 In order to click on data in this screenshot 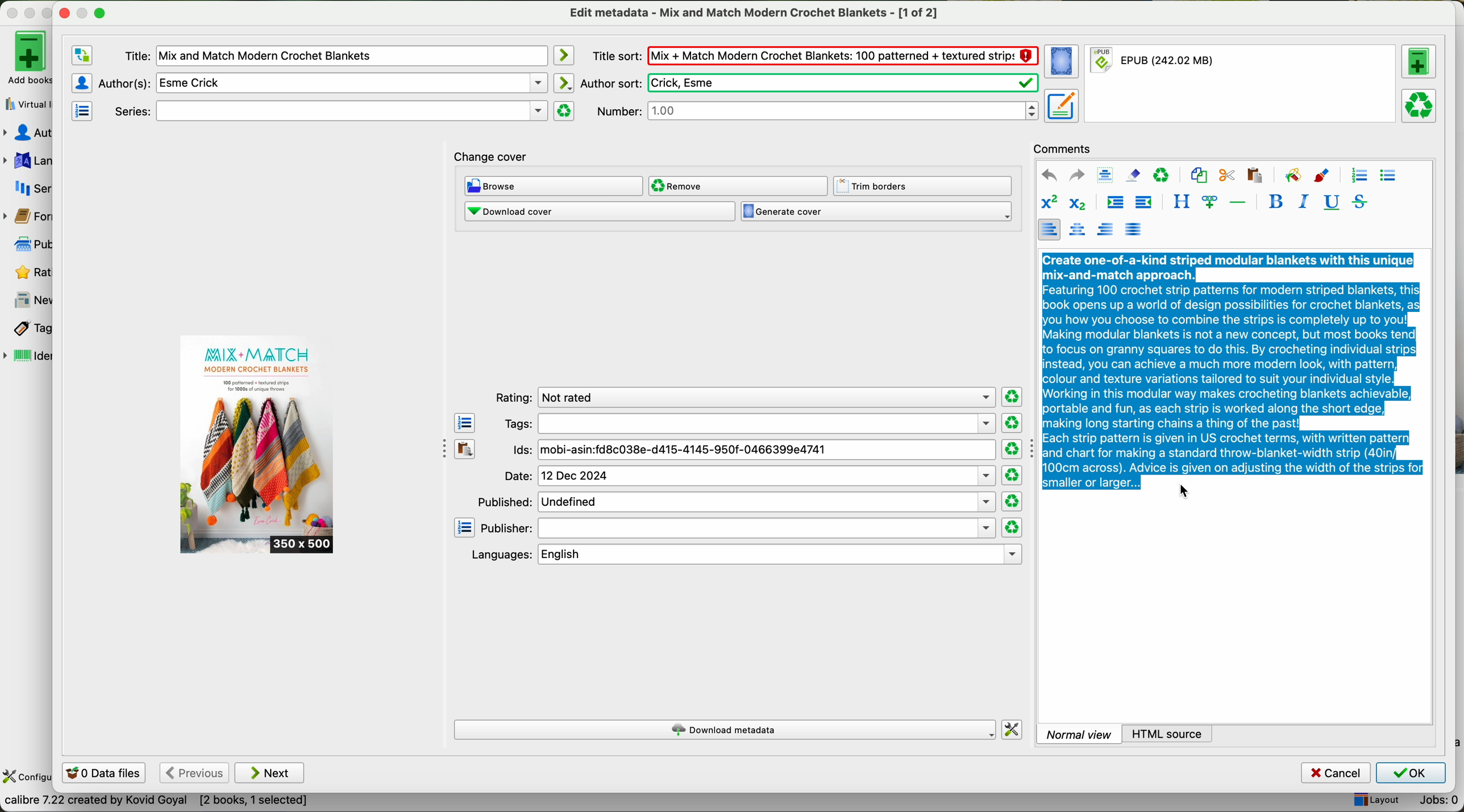, I will do `click(156, 803)`.